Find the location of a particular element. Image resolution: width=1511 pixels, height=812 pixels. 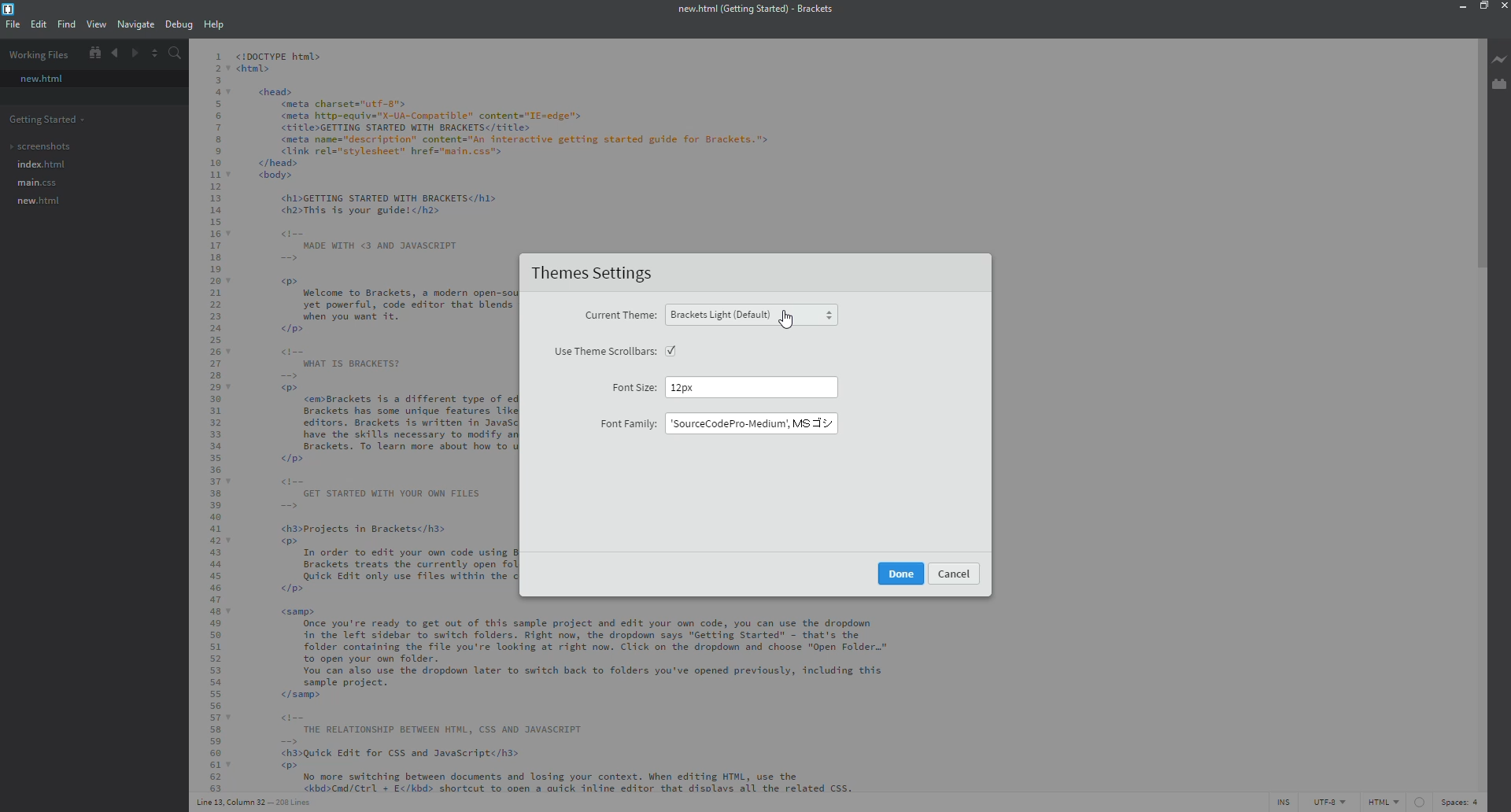

line number is located at coordinates (256, 802).